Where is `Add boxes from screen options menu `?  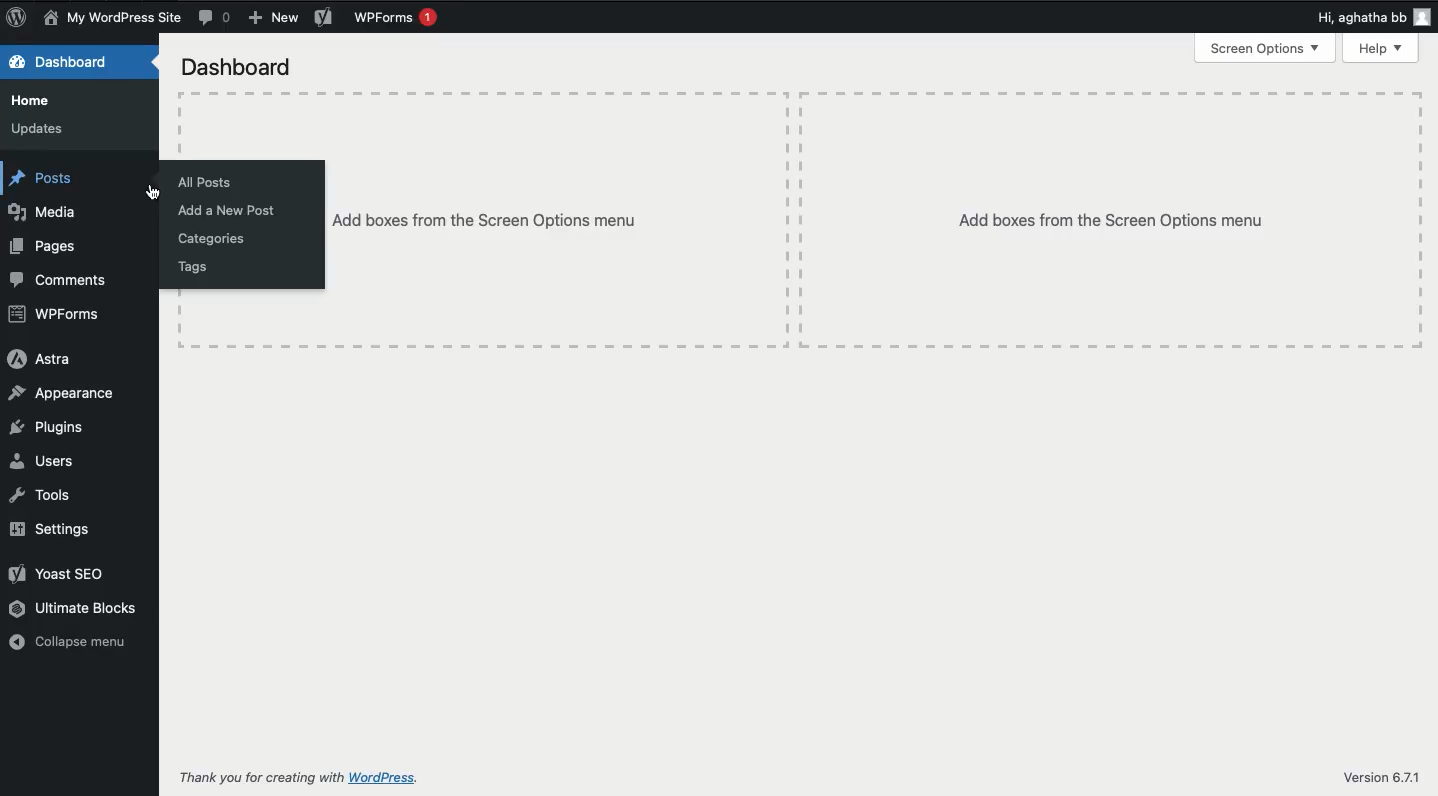 Add boxes from screen options menu  is located at coordinates (552, 219).